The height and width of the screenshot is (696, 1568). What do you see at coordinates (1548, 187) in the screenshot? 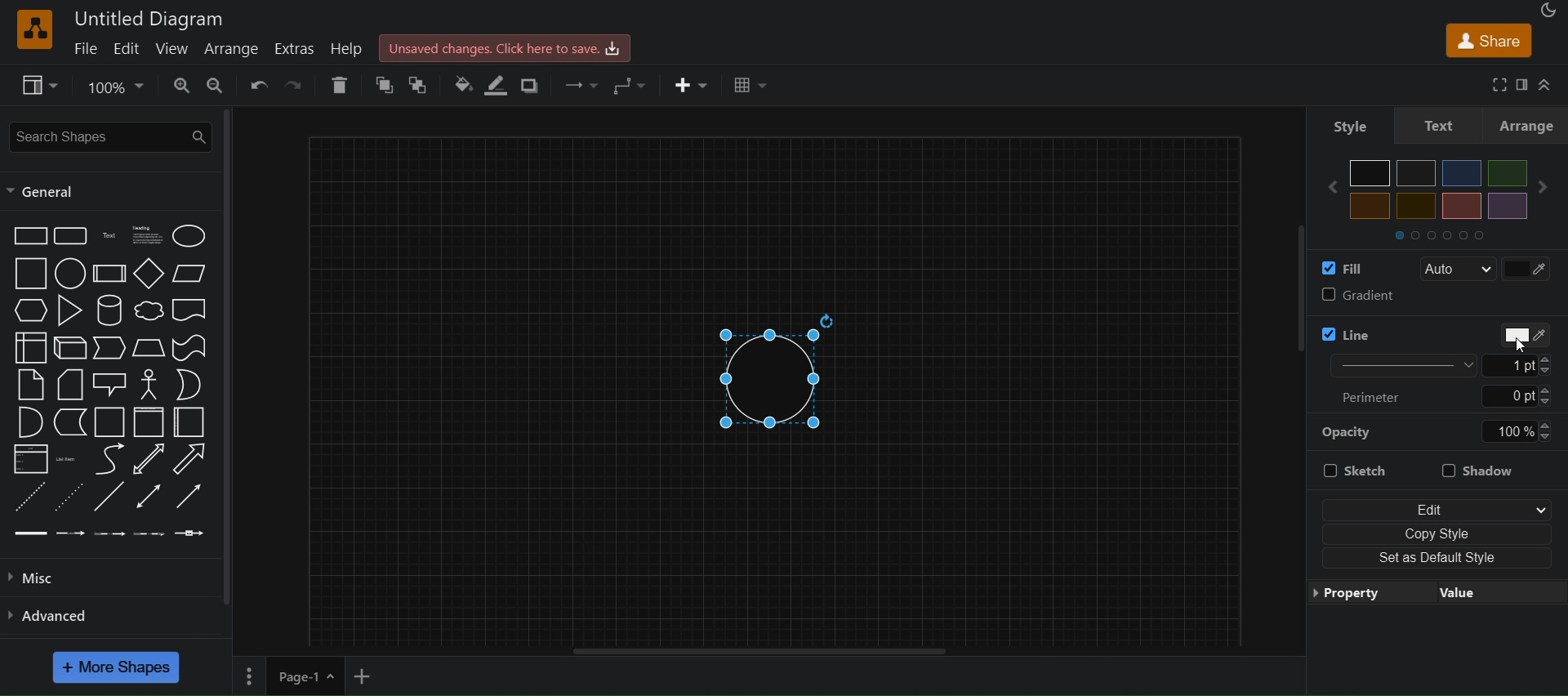
I see `next` at bounding box center [1548, 187].